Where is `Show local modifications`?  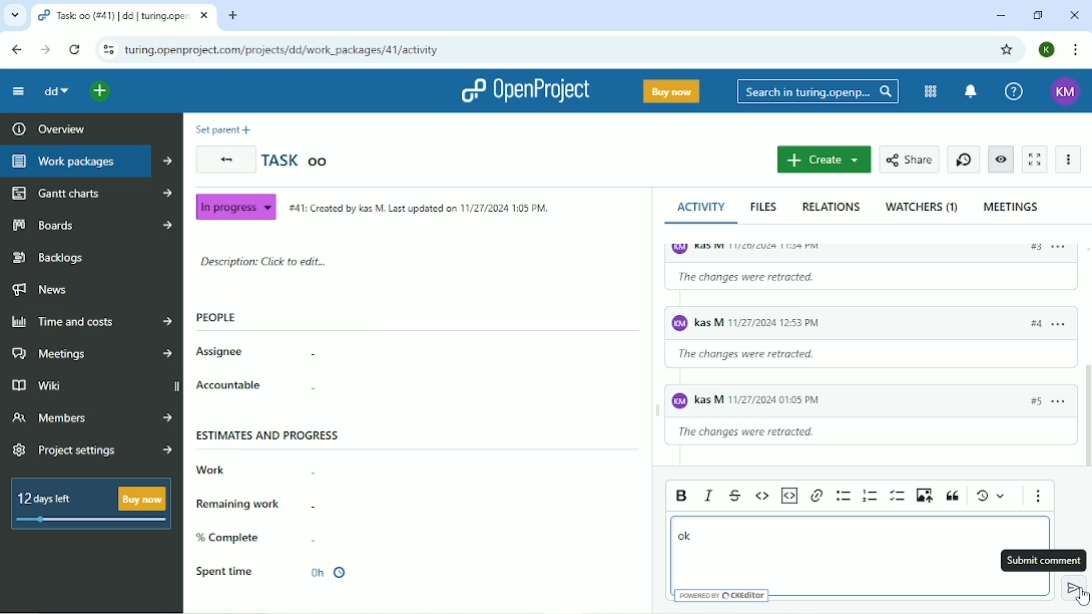 Show local modifications is located at coordinates (990, 496).